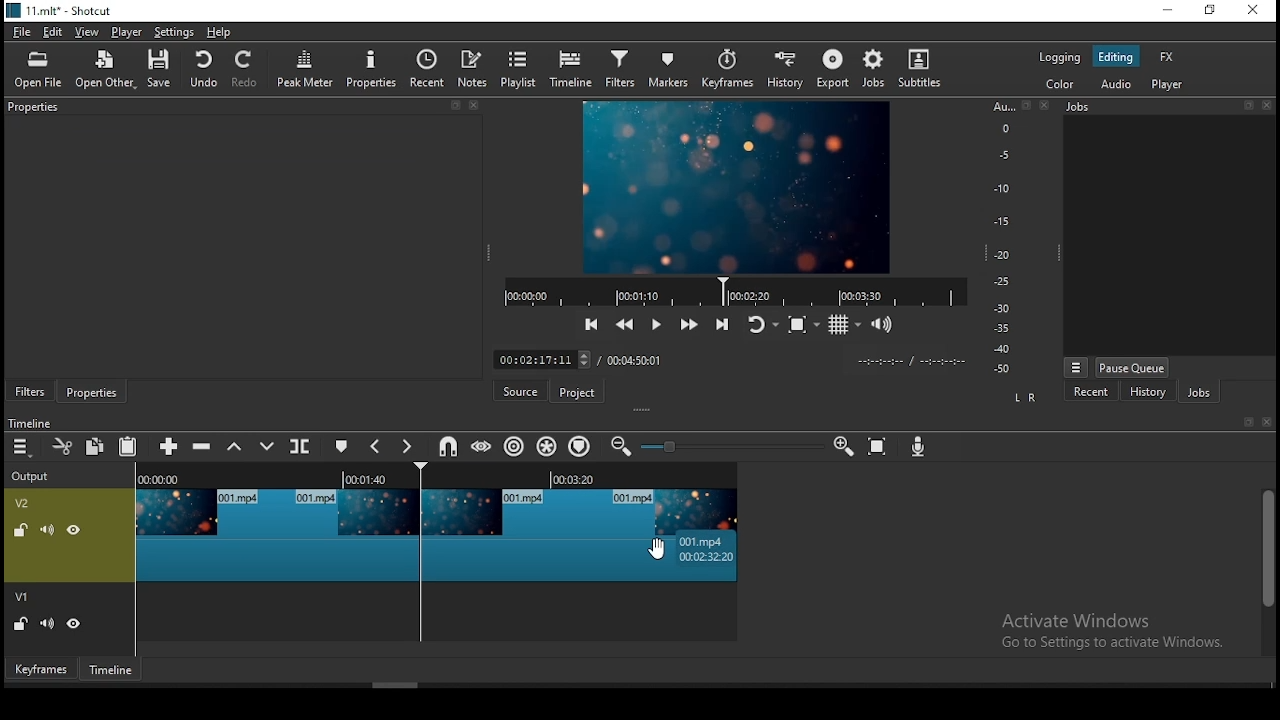 The width and height of the screenshot is (1280, 720). What do you see at coordinates (623, 70) in the screenshot?
I see `filters` at bounding box center [623, 70].